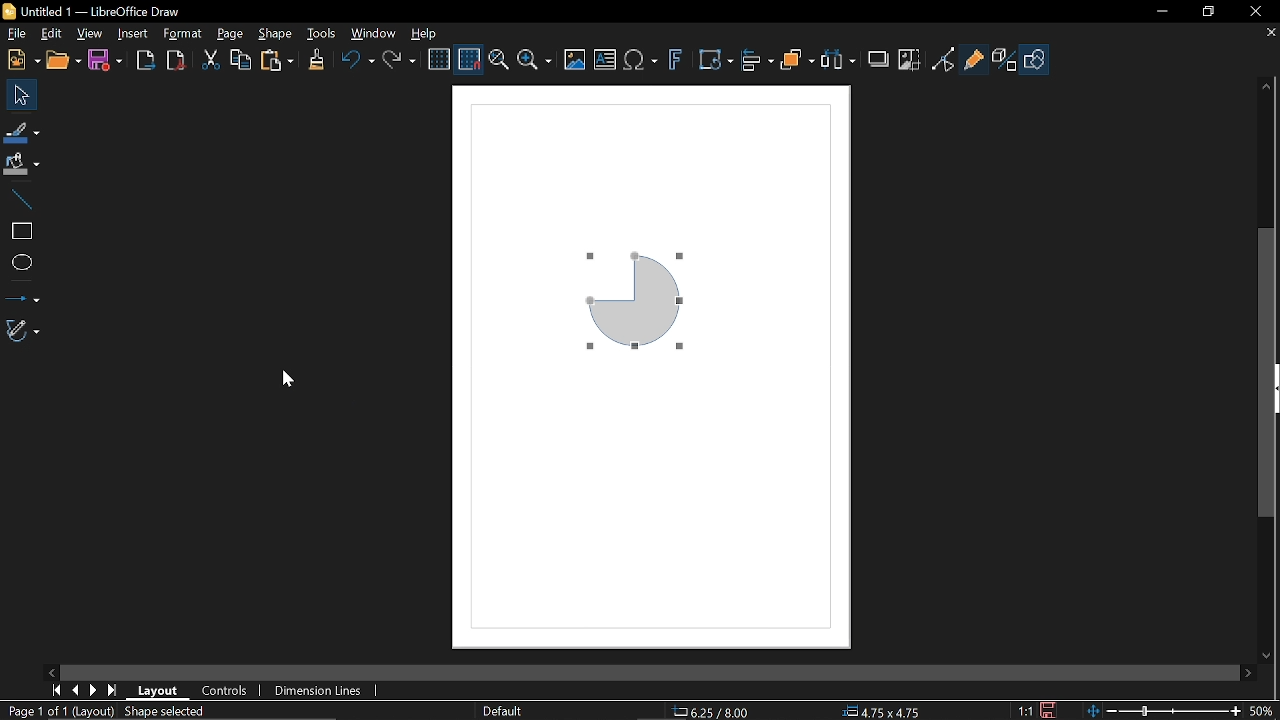 The image size is (1280, 720). What do you see at coordinates (426, 34) in the screenshot?
I see `Help` at bounding box center [426, 34].